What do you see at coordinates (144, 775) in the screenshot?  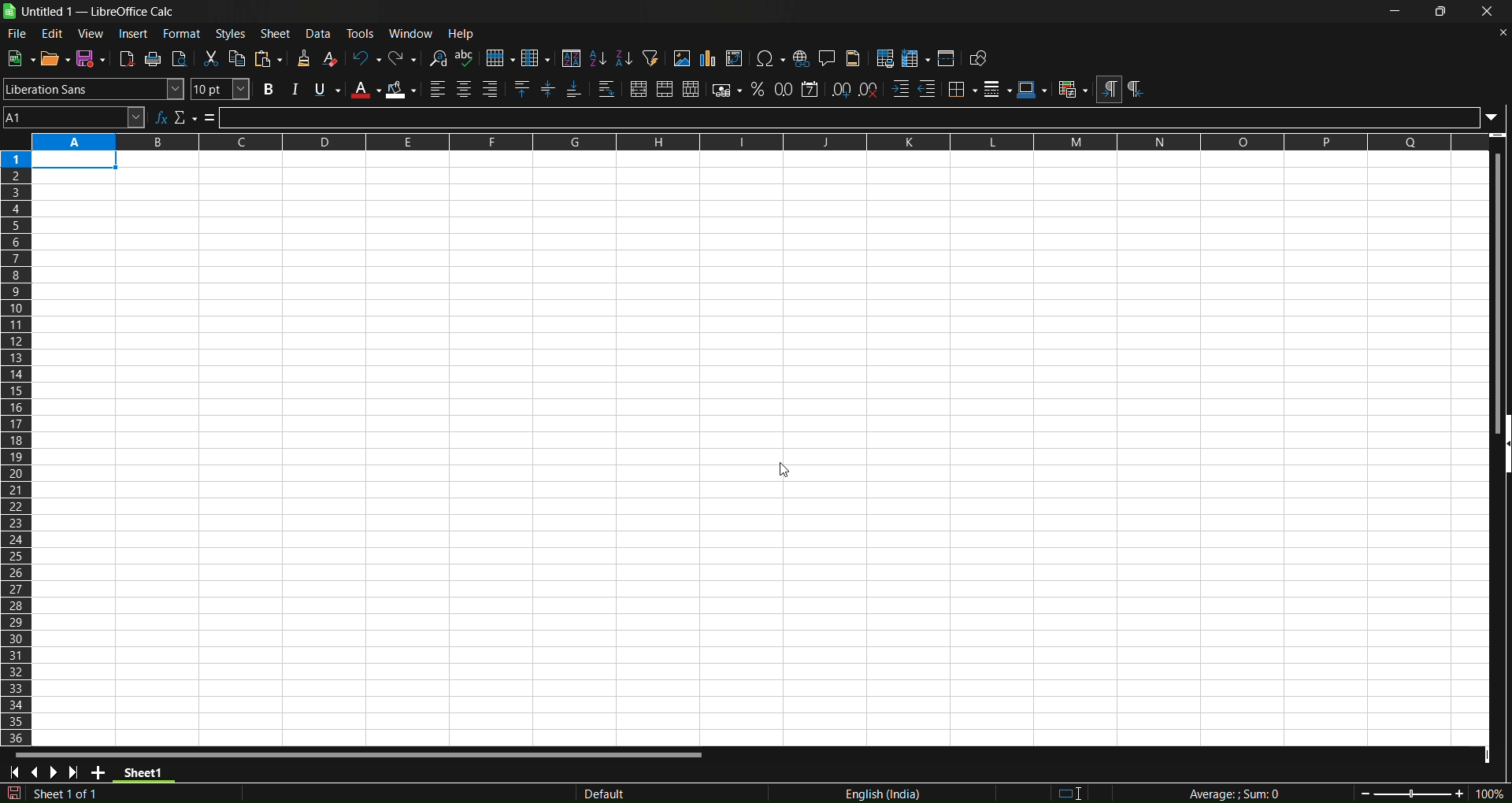 I see `sheet tab color is changed to lime.` at bounding box center [144, 775].